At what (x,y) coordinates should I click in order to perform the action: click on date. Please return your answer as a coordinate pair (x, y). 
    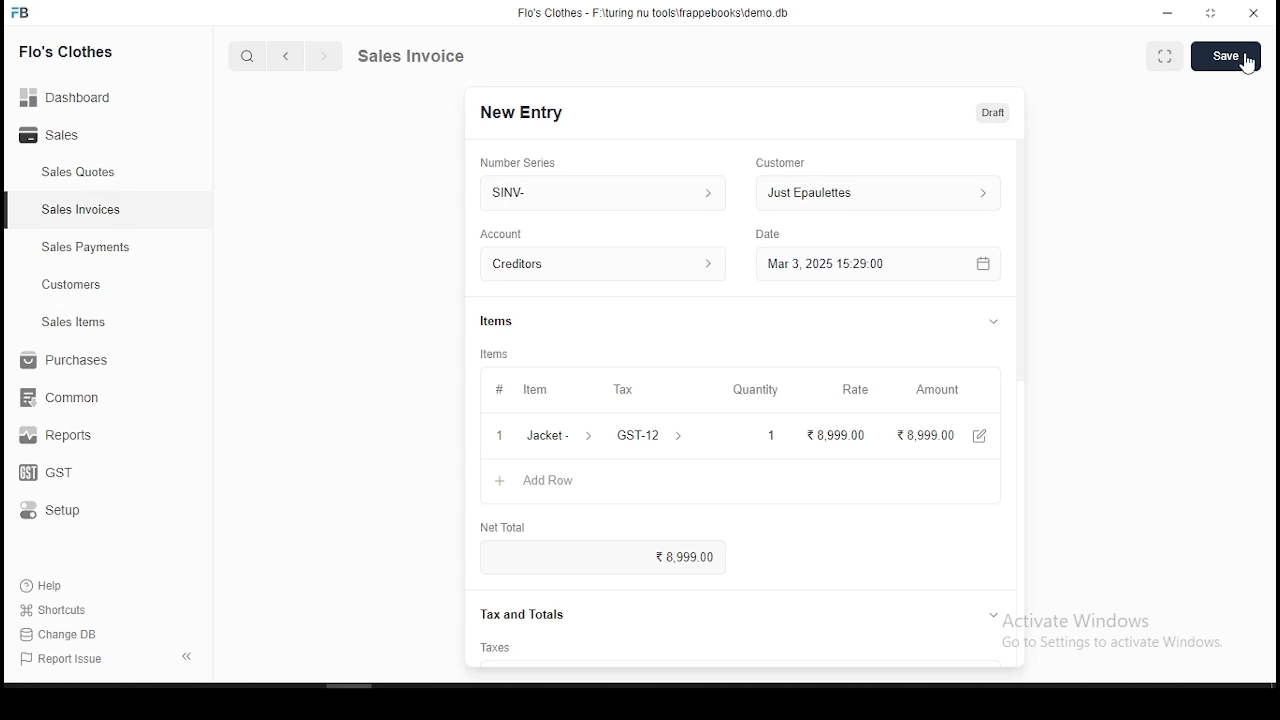
    Looking at the image, I should click on (495, 232).